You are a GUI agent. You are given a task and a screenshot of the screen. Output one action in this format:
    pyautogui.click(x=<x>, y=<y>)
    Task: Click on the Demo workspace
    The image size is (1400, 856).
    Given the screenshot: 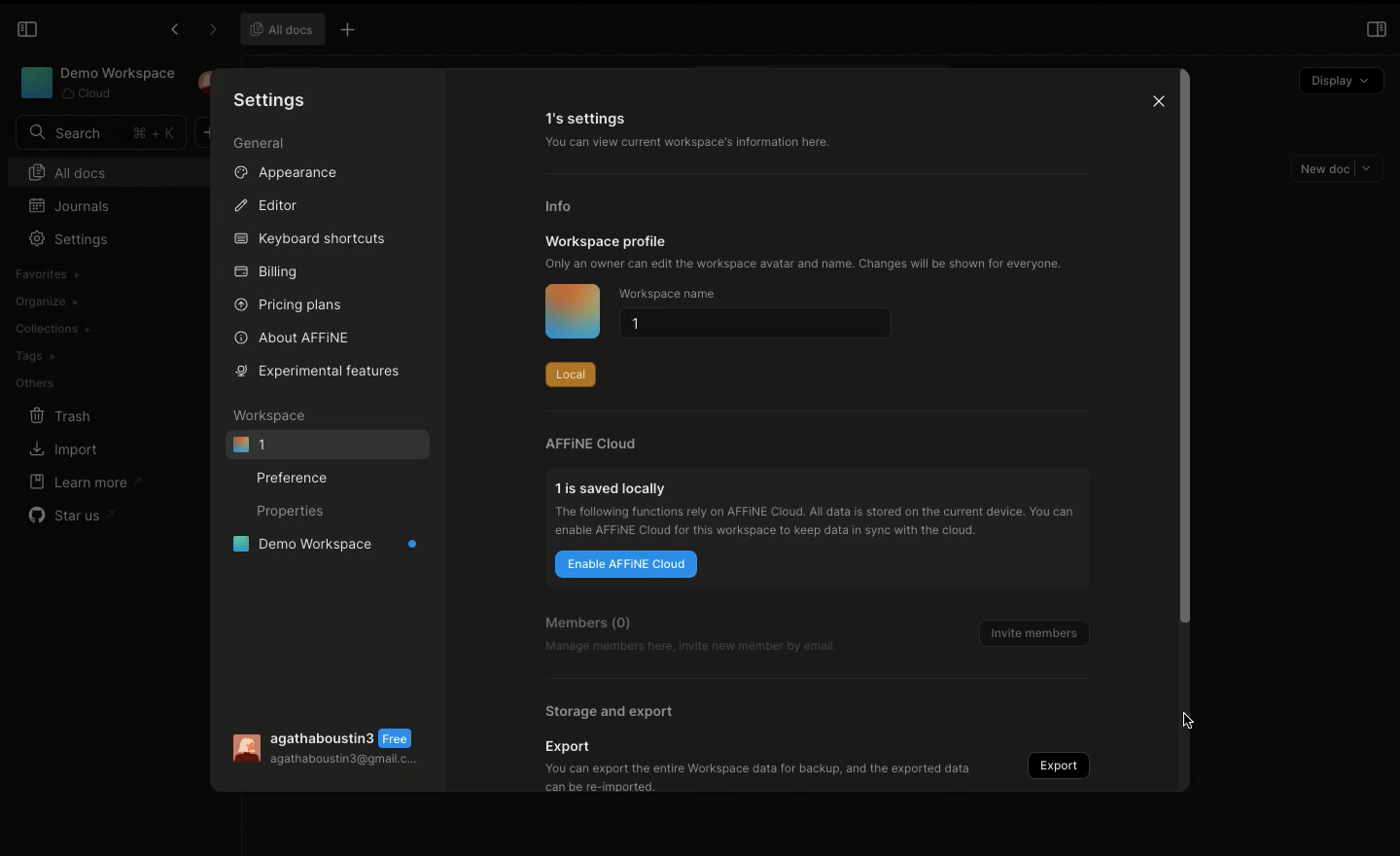 What is the action you would take?
    pyautogui.click(x=319, y=547)
    